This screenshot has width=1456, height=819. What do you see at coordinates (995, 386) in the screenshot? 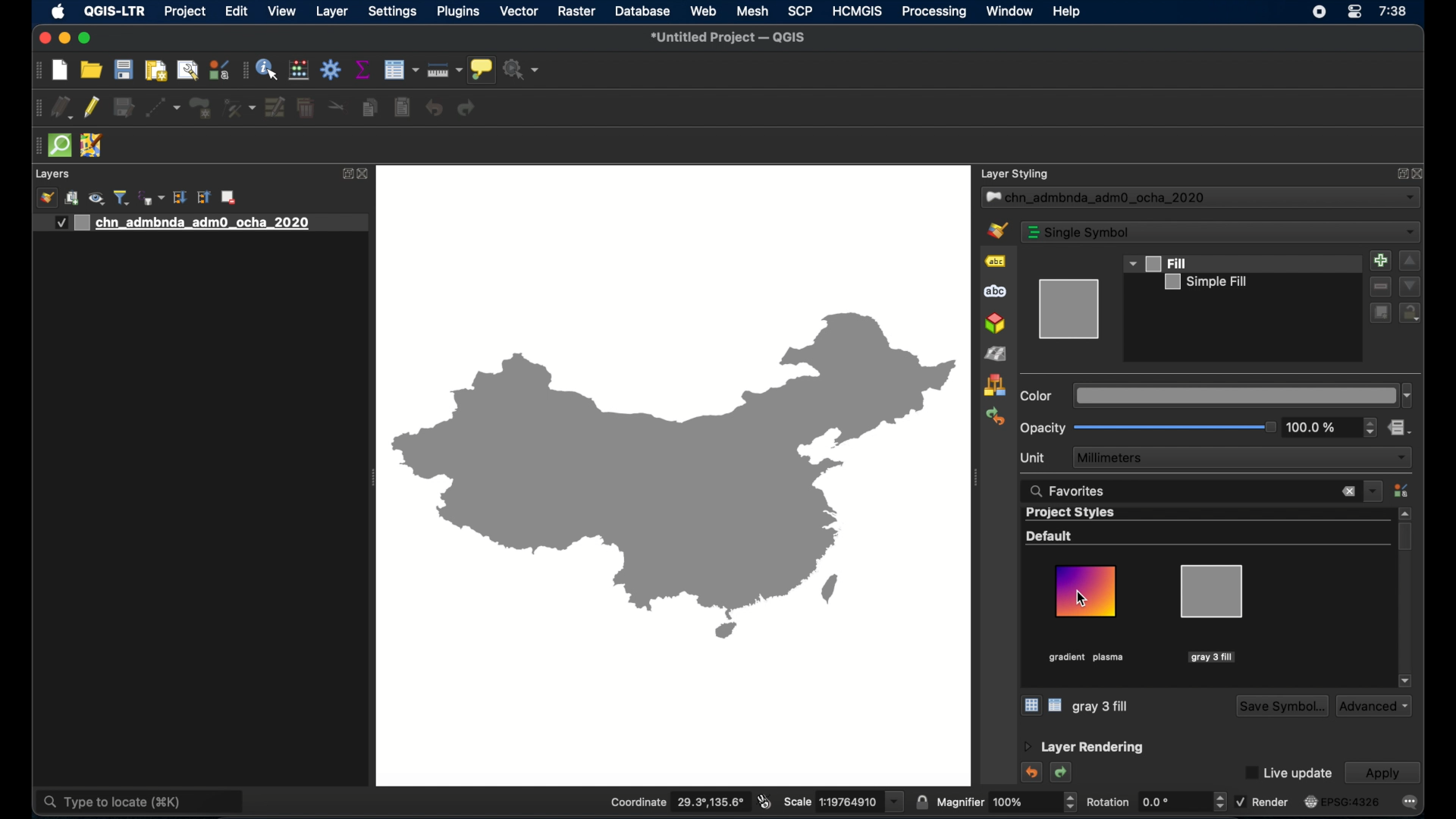
I see `style manager` at bounding box center [995, 386].